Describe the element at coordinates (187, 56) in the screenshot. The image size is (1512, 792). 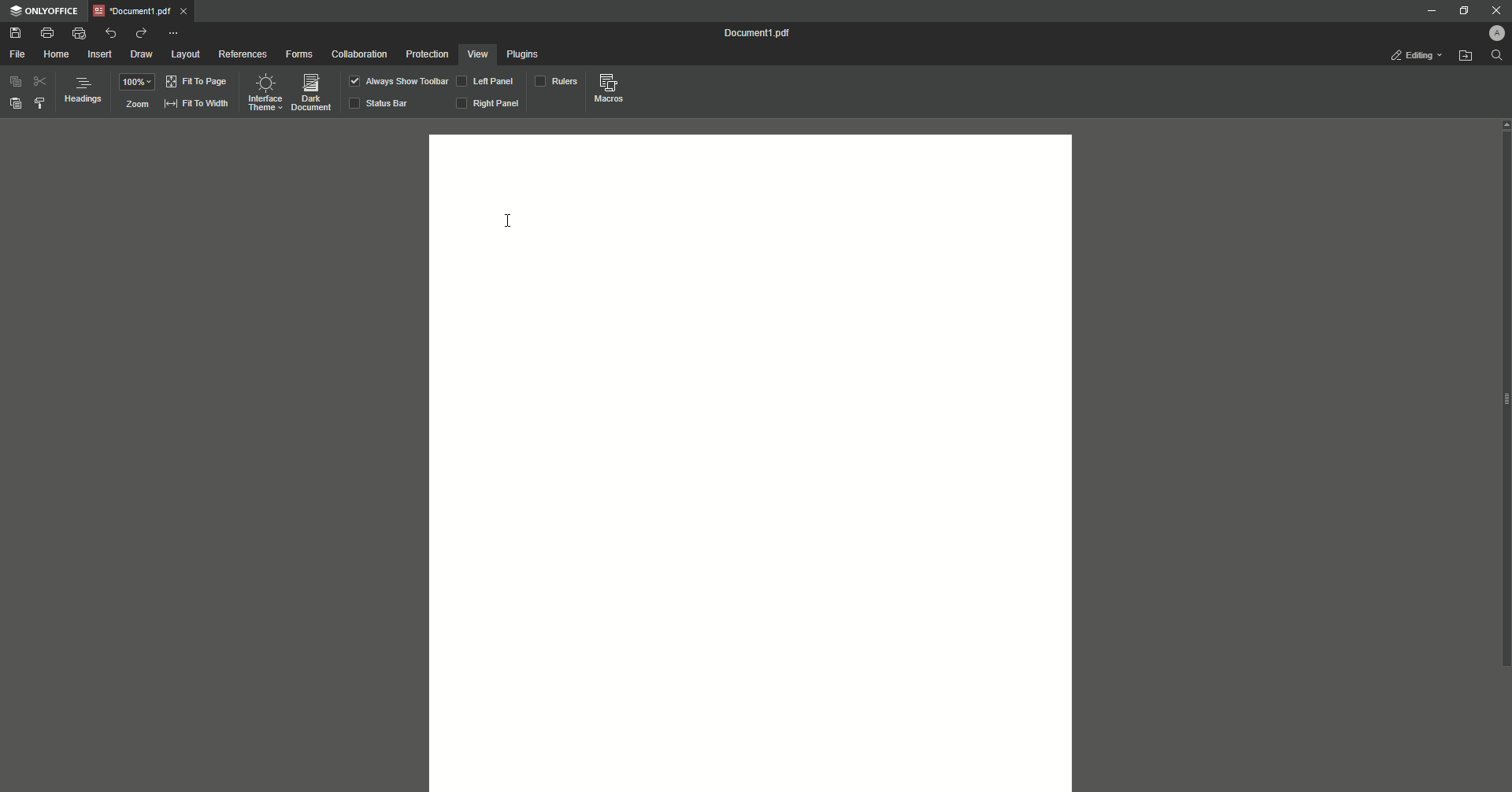
I see `layout` at that location.